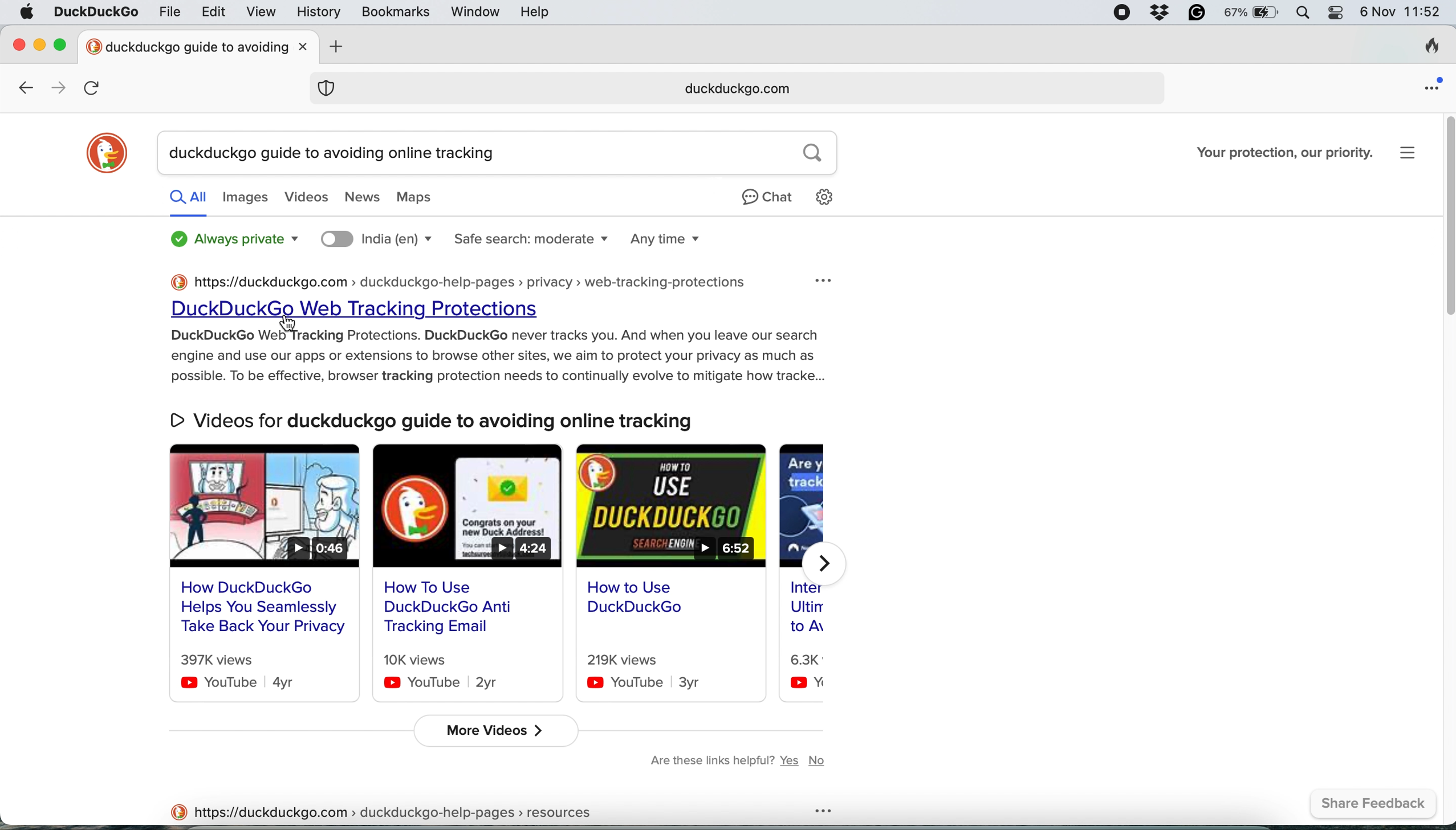  I want to click on control center, so click(1341, 15).